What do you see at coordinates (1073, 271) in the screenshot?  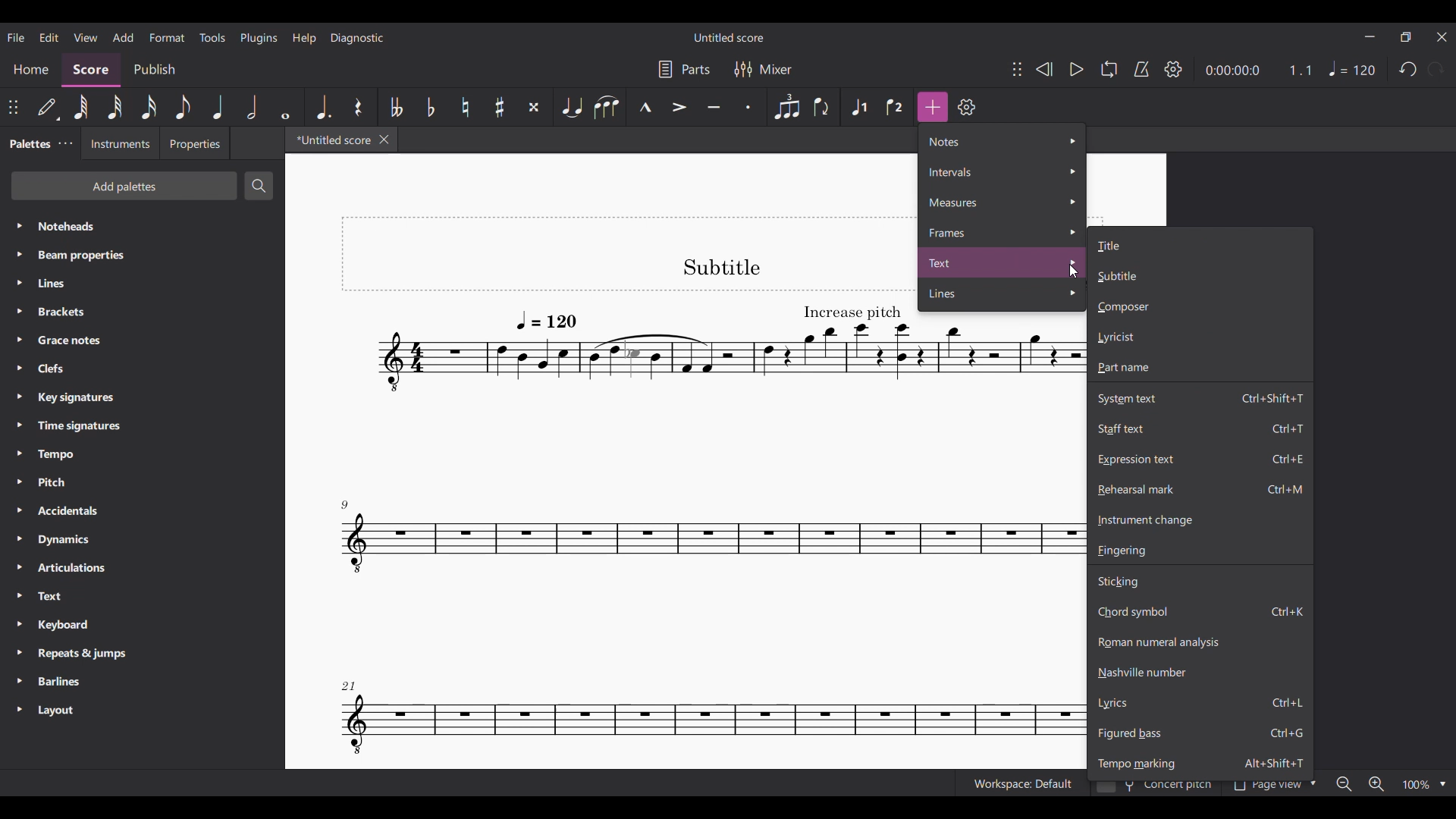 I see `Cursor` at bounding box center [1073, 271].